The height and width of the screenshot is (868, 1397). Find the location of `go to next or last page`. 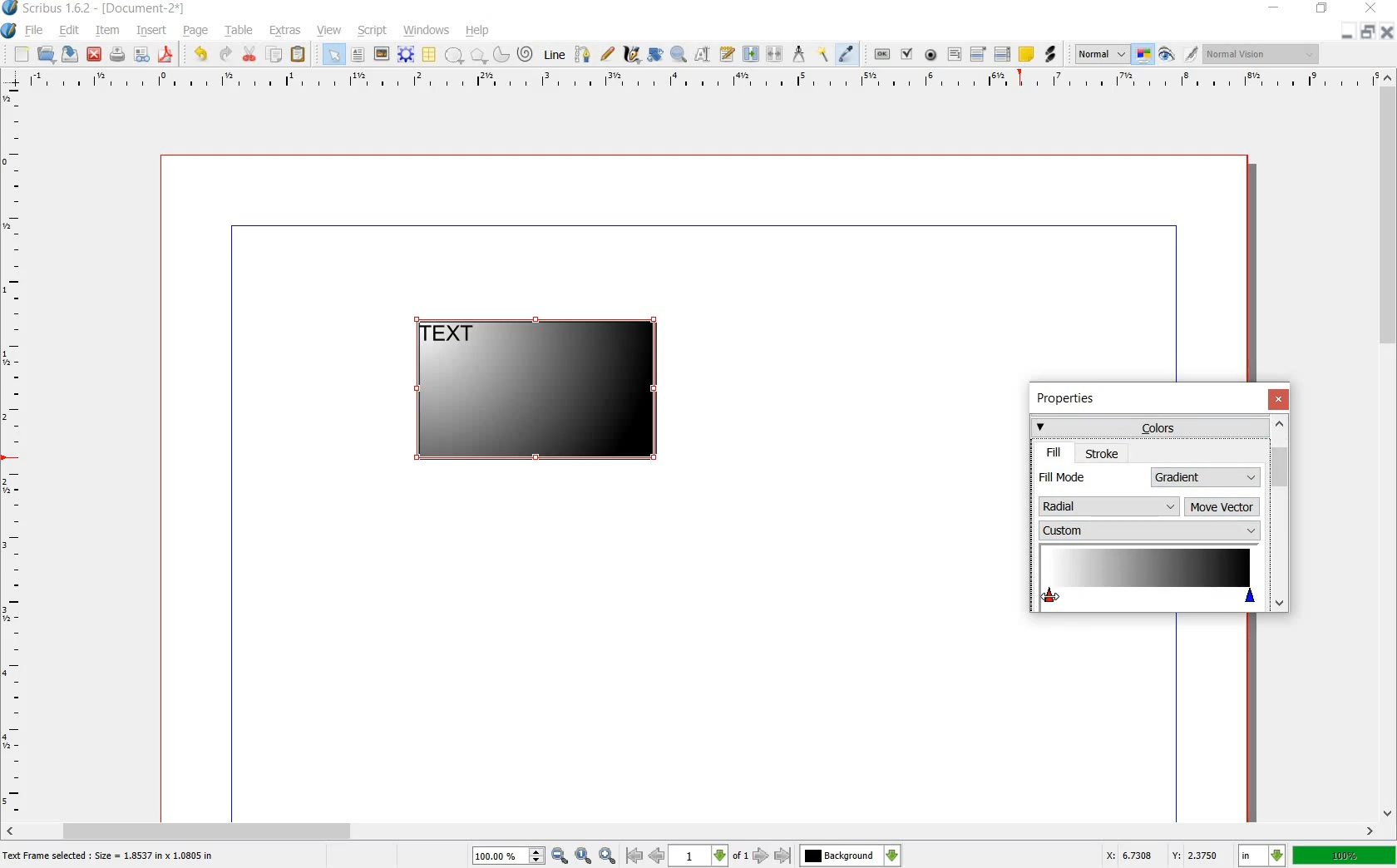

go to next or last page is located at coordinates (771, 856).